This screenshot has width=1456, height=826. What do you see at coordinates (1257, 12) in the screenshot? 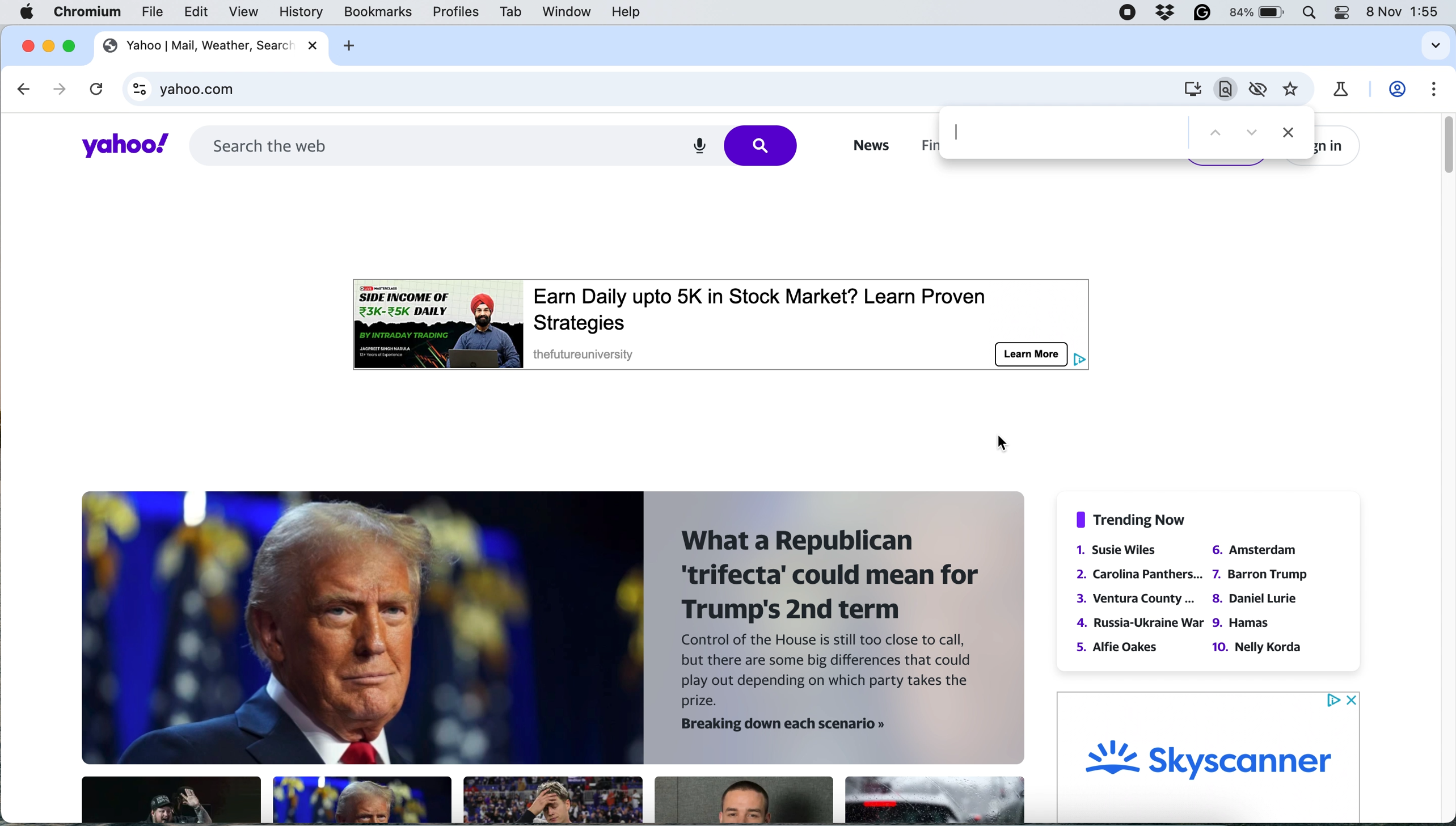
I see `battery` at bounding box center [1257, 12].